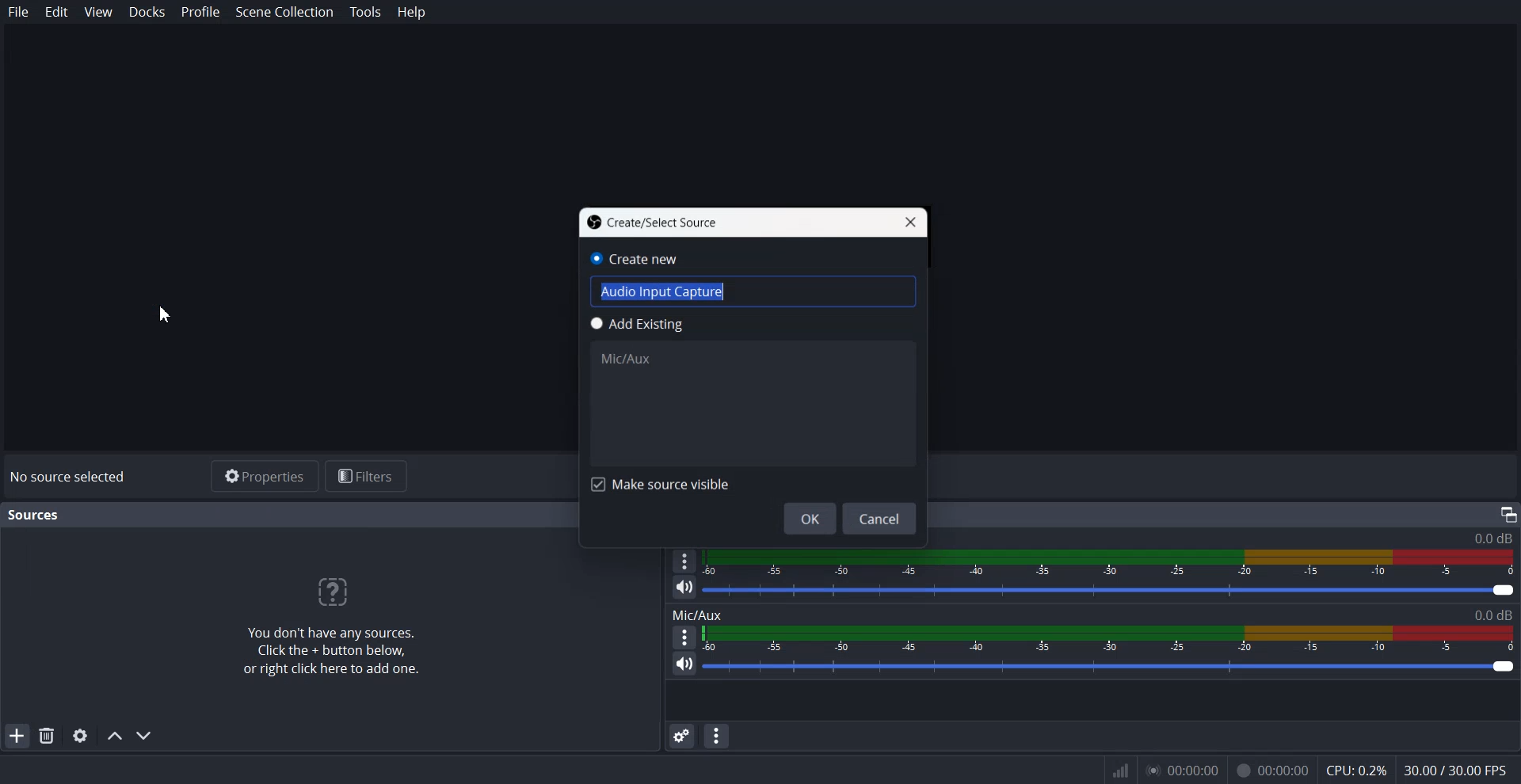 The image size is (1521, 784). What do you see at coordinates (145, 735) in the screenshot?
I see `Move Source down` at bounding box center [145, 735].